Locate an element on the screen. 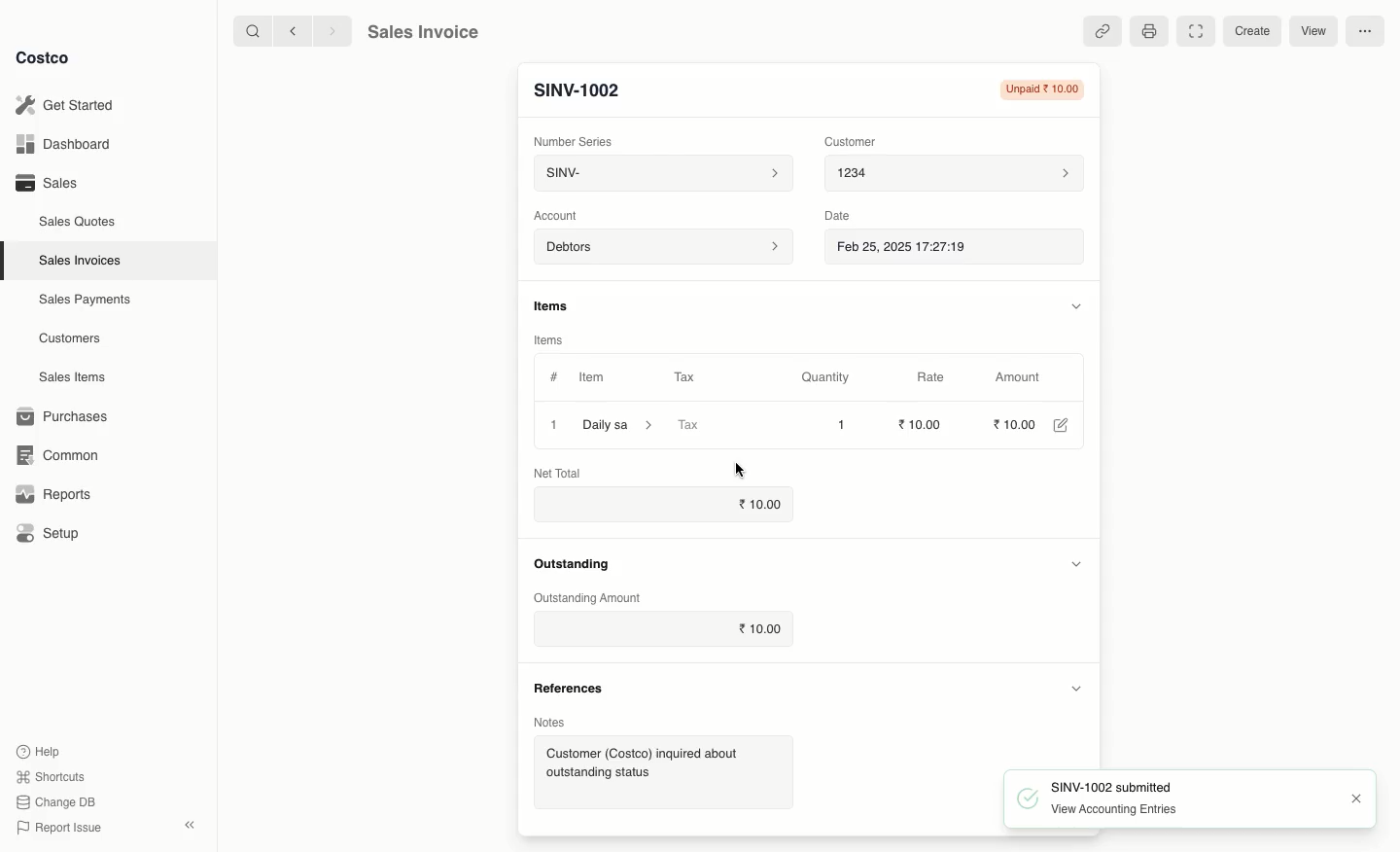 The height and width of the screenshot is (852, 1400). Edit is located at coordinates (1060, 425).